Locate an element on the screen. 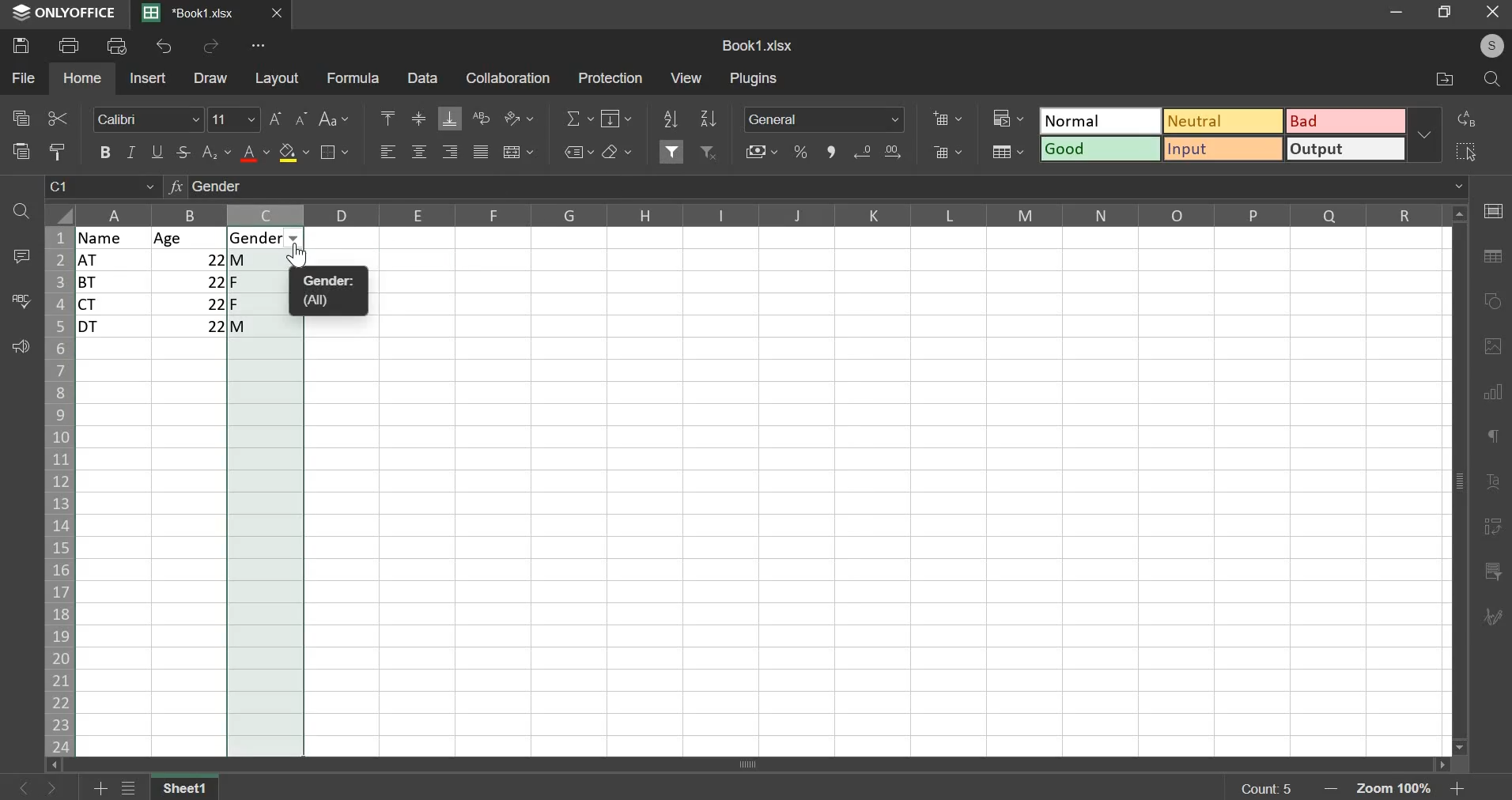 The width and height of the screenshot is (1512, 800). book1.xlsx is located at coordinates (758, 45).